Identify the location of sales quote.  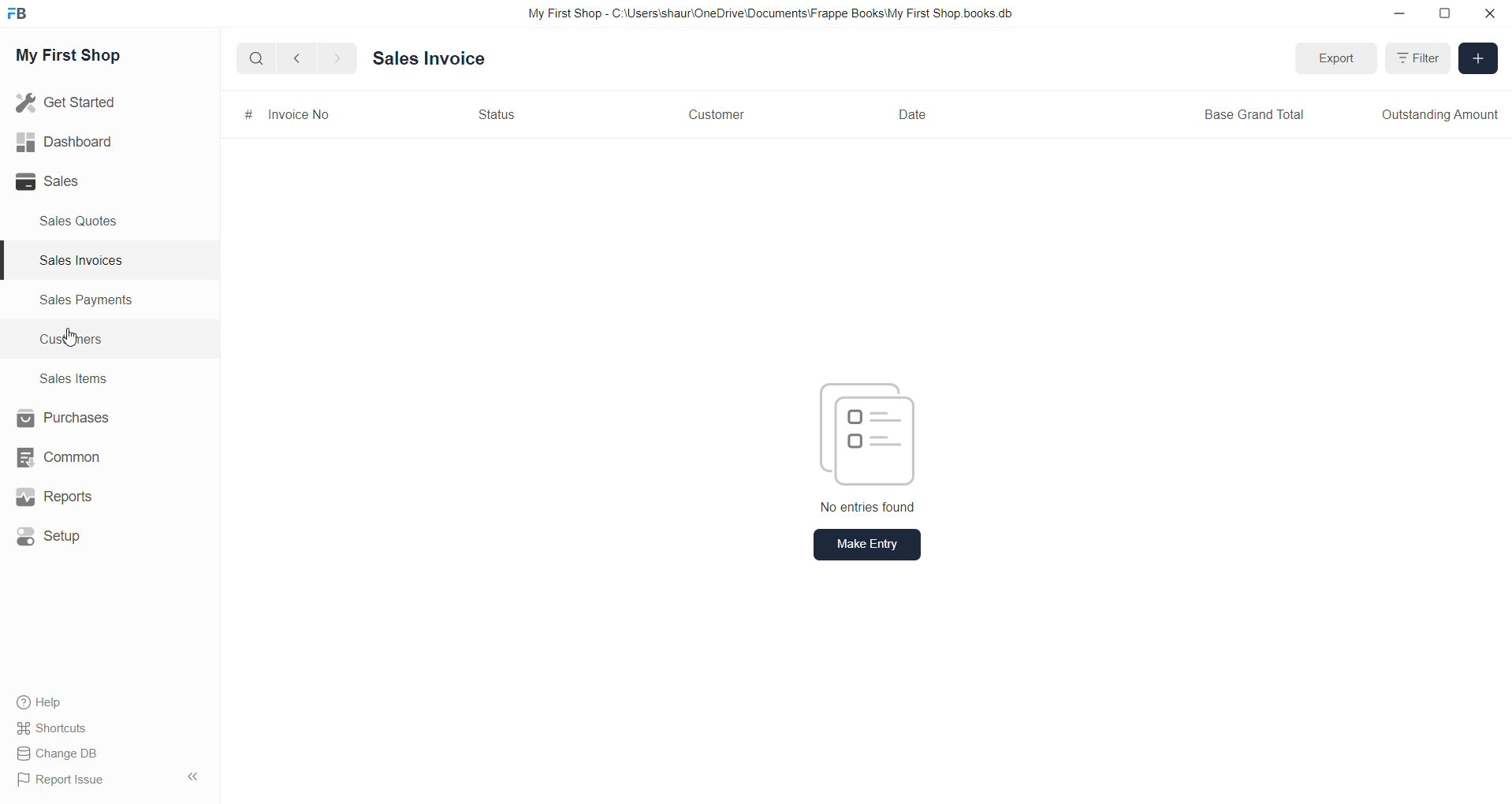
(88, 221).